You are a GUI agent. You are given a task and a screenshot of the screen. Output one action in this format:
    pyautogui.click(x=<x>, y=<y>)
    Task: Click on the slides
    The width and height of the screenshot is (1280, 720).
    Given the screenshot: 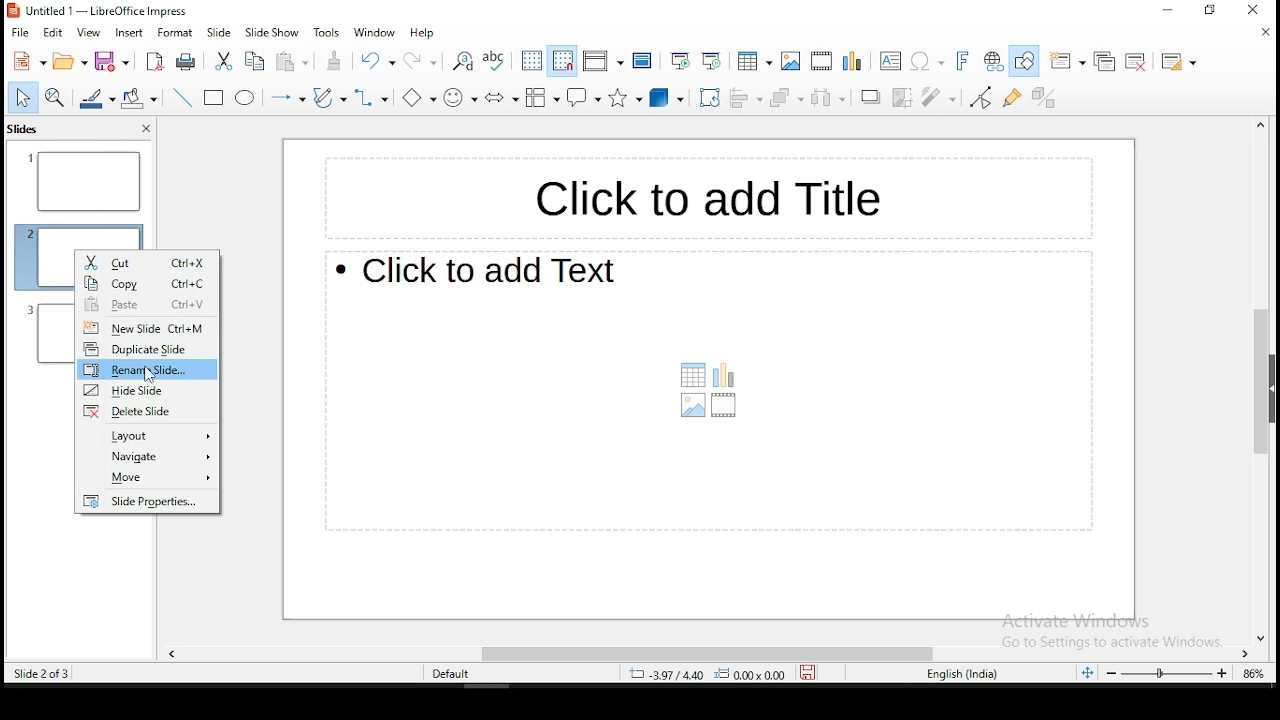 What is the action you would take?
    pyautogui.click(x=24, y=131)
    